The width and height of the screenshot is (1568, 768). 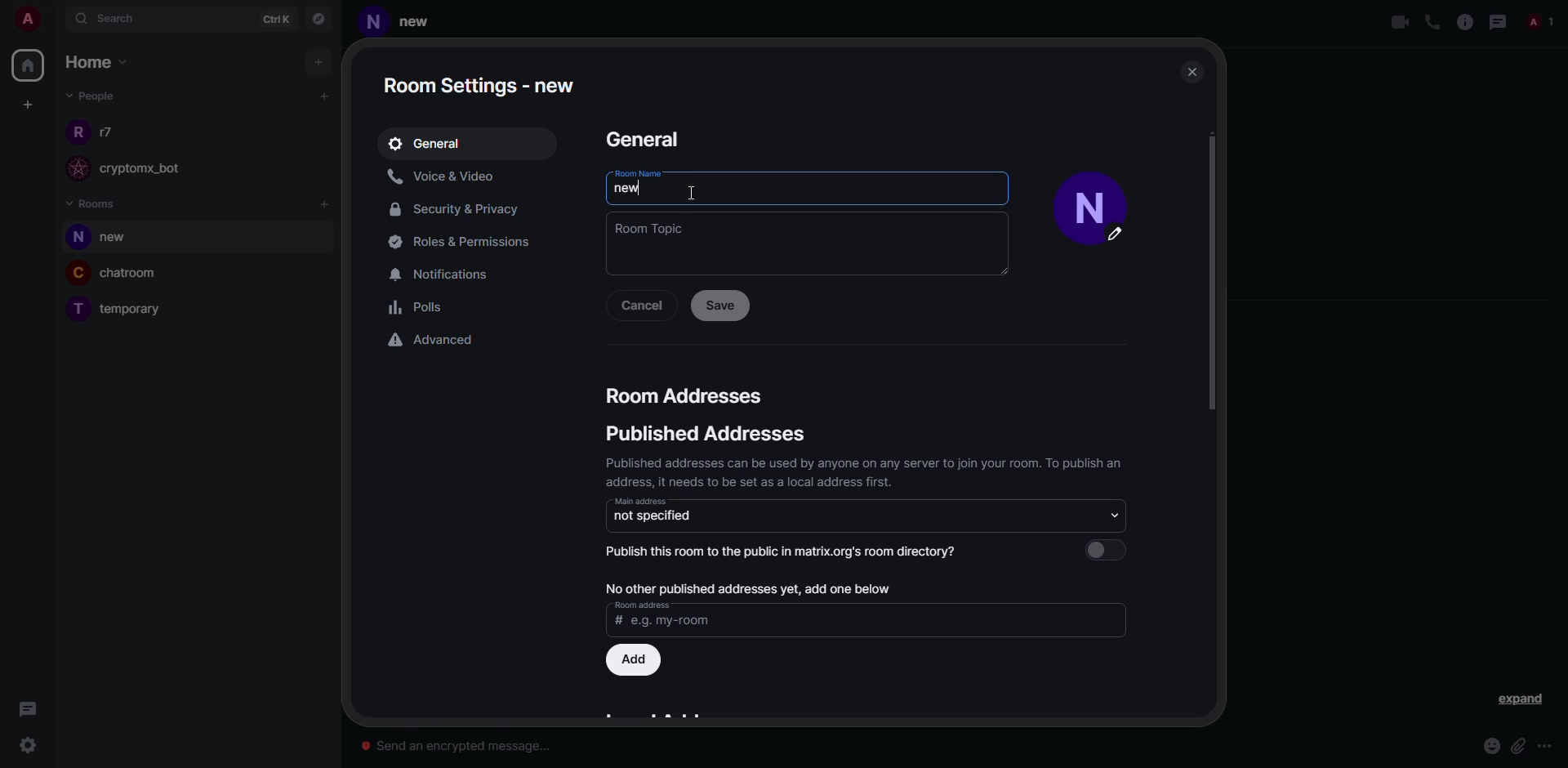 I want to click on expand, so click(x=1520, y=700).